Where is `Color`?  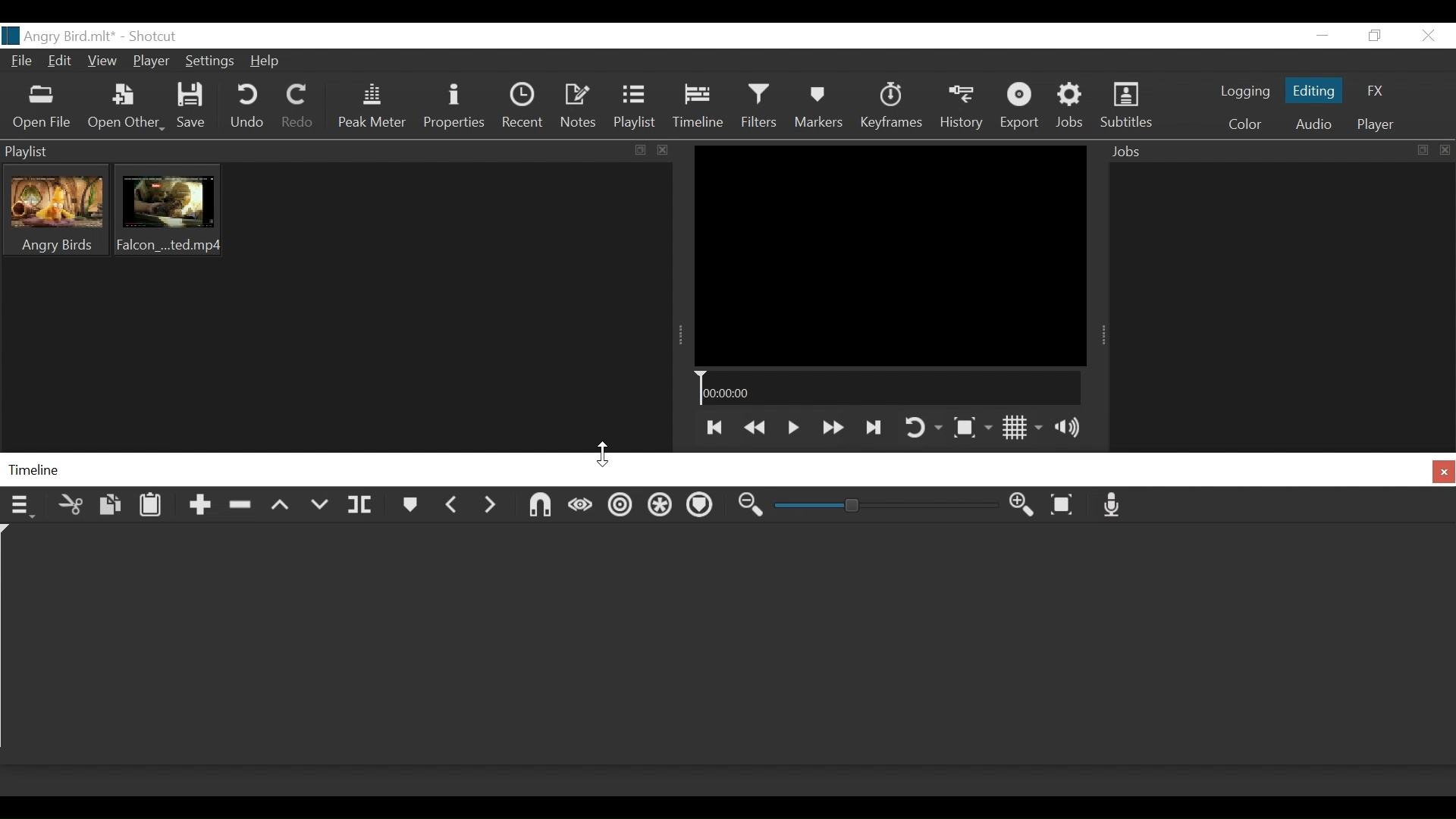 Color is located at coordinates (1245, 124).